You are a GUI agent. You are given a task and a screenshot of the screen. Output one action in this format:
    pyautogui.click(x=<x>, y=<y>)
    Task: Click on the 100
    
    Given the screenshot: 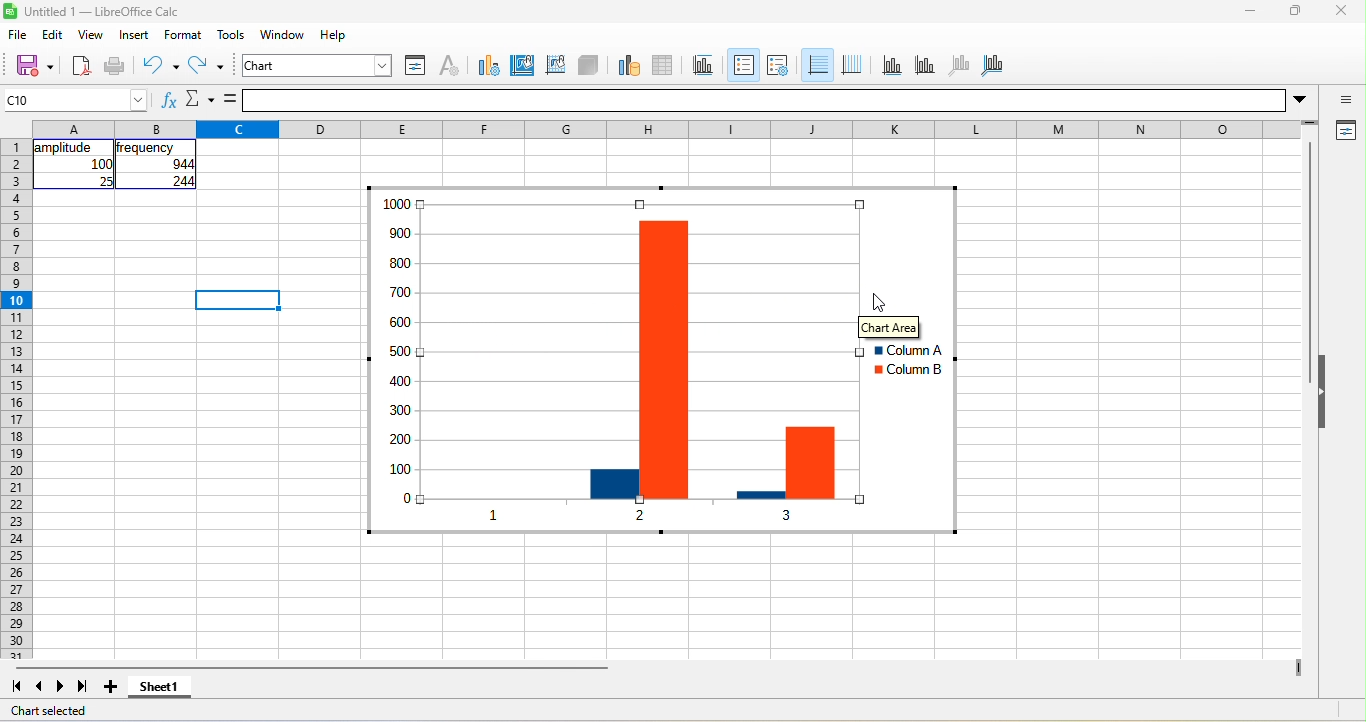 What is the action you would take?
    pyautogui.click(x=101, y=164)
    